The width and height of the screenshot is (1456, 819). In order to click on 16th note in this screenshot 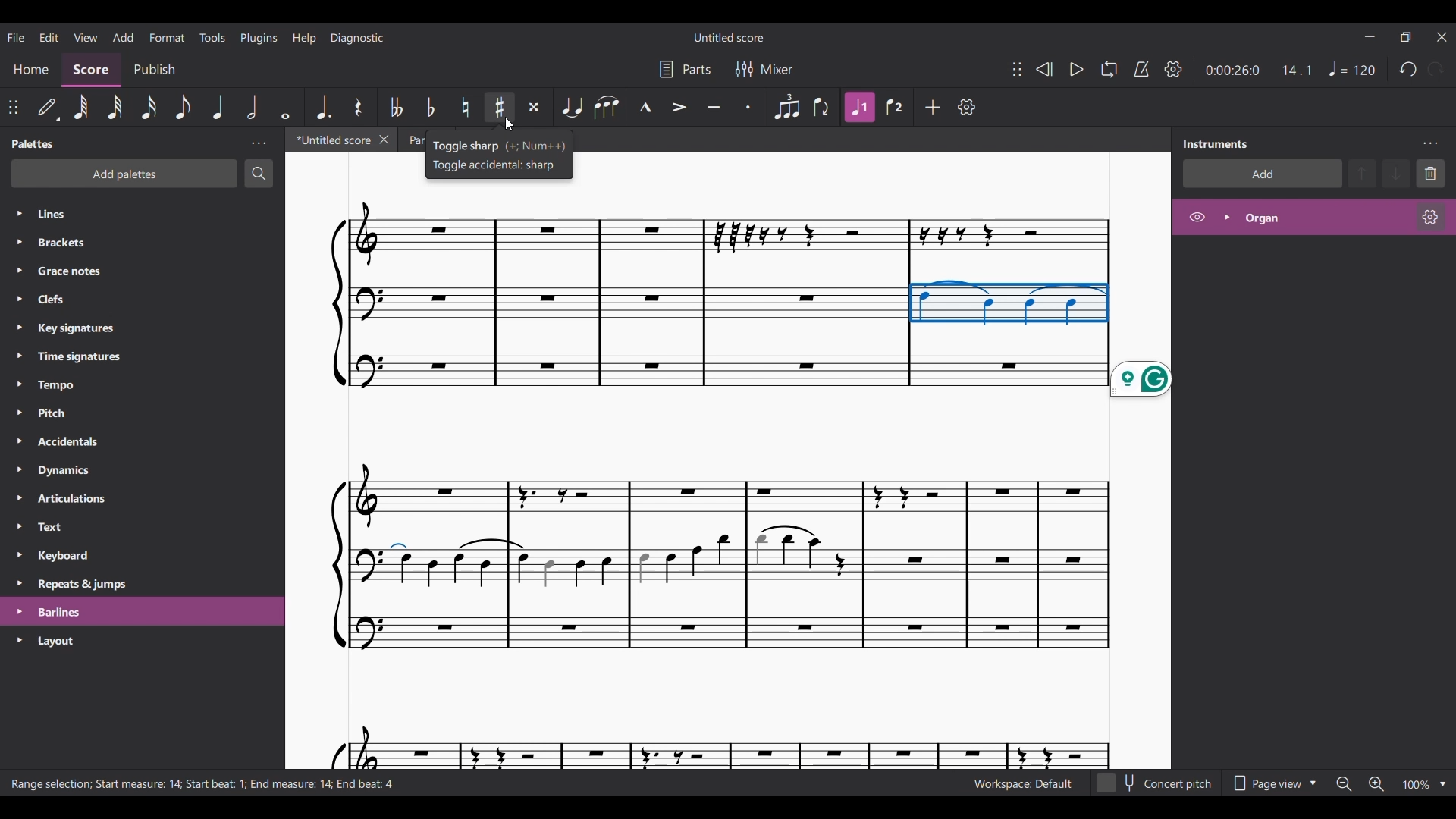, I will do `click(148, 108)`.